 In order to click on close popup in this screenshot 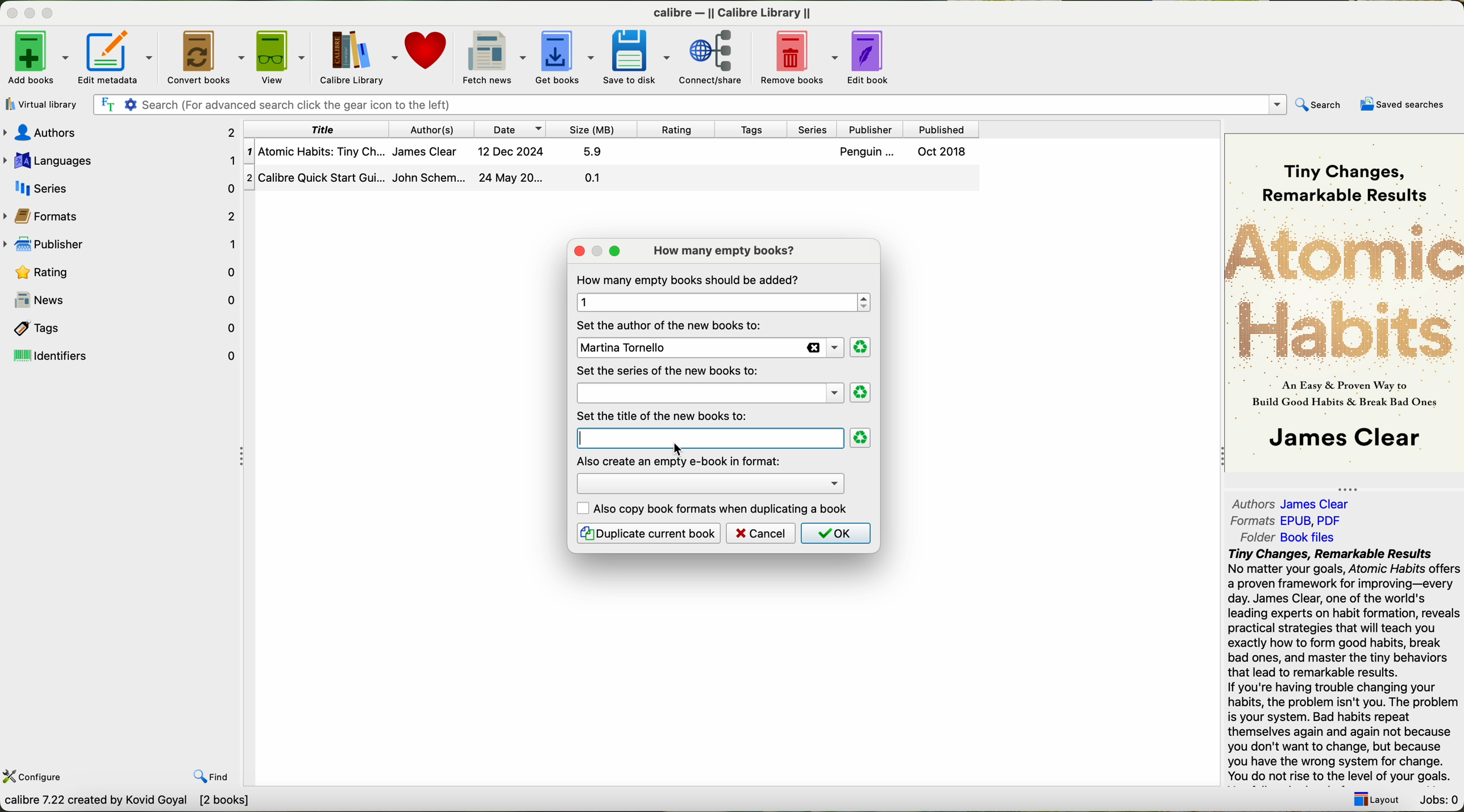, I will do `click(576, 249)`.